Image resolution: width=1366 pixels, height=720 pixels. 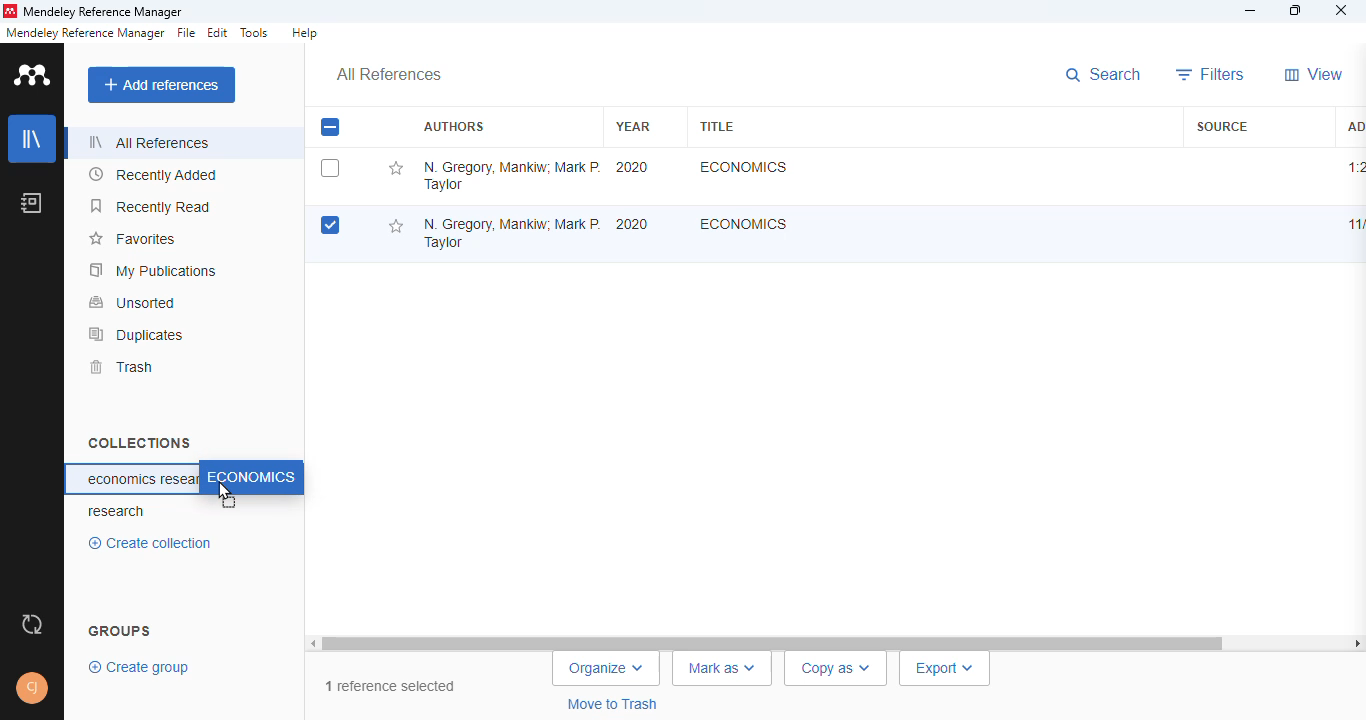 What do you see at coordinates (1106, 76) in the screenshot?
I see `search` at bounding box center [1106, 76].